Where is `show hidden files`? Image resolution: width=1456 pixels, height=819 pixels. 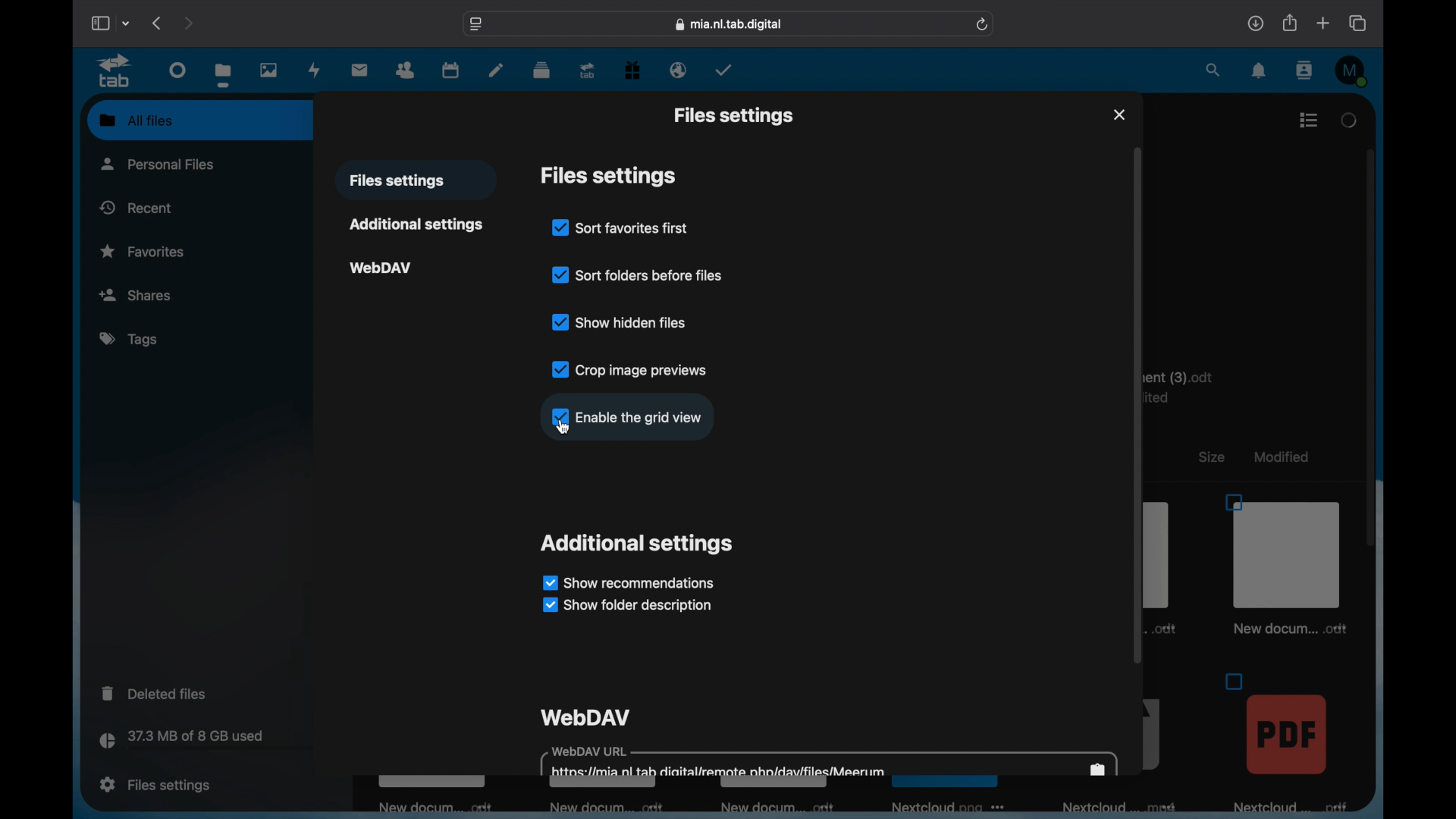
show hidden files is located at coordinates (620, 322).